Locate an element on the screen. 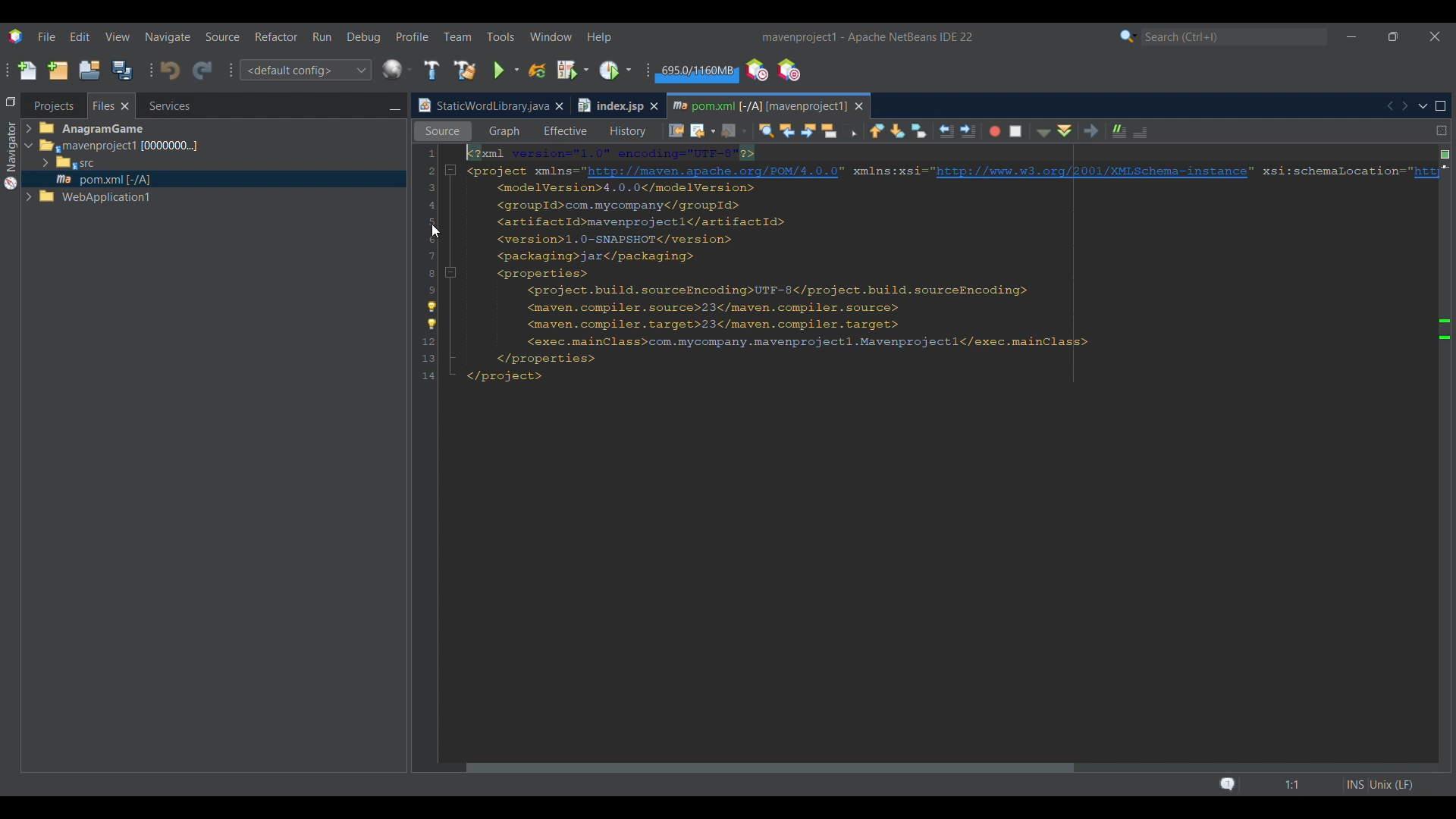 The height and width of the screenshot is (819, 1456). Minimize is located at coordinates (394, 107).